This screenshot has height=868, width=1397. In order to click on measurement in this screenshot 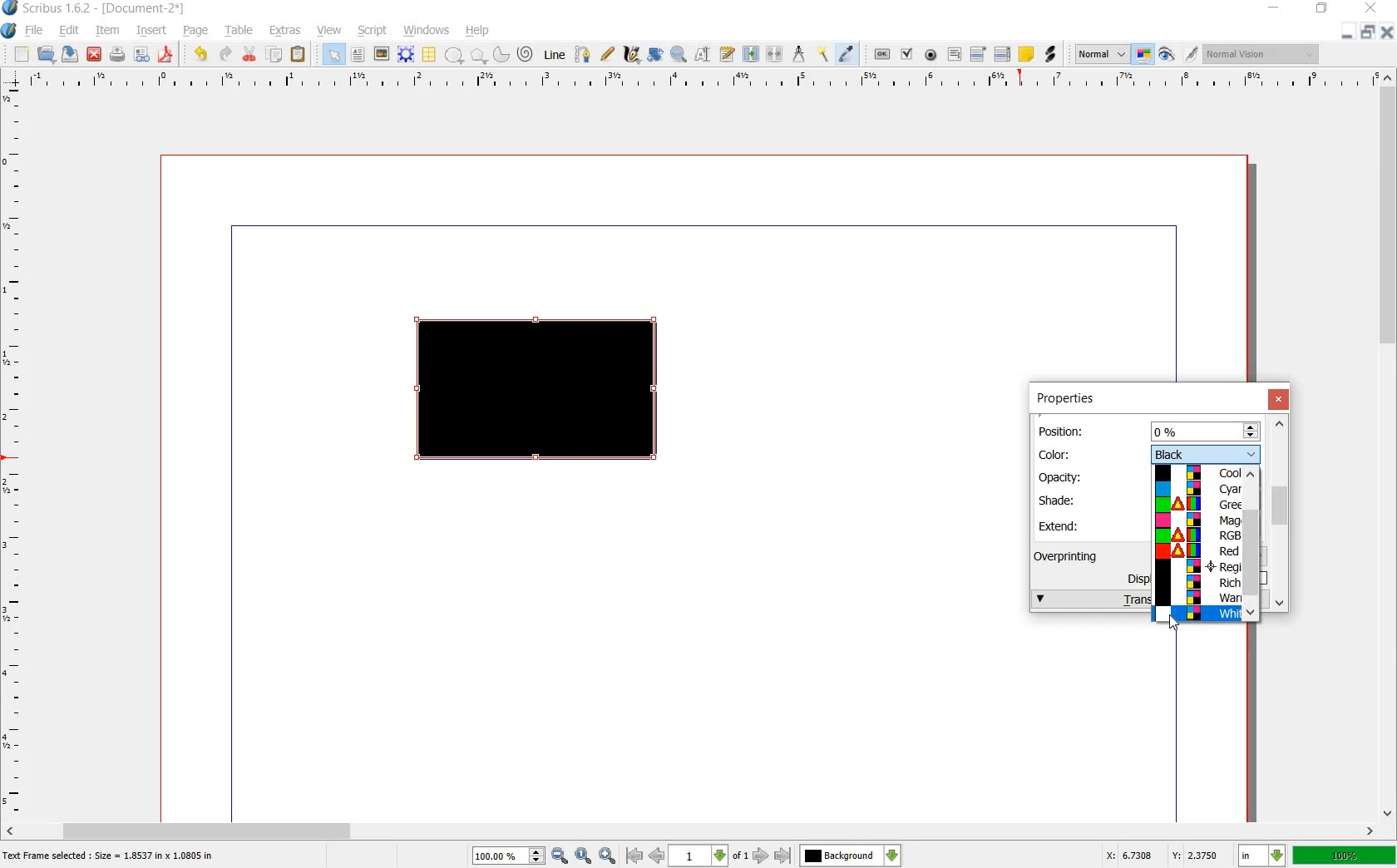, I will do `click(800, 53)`.